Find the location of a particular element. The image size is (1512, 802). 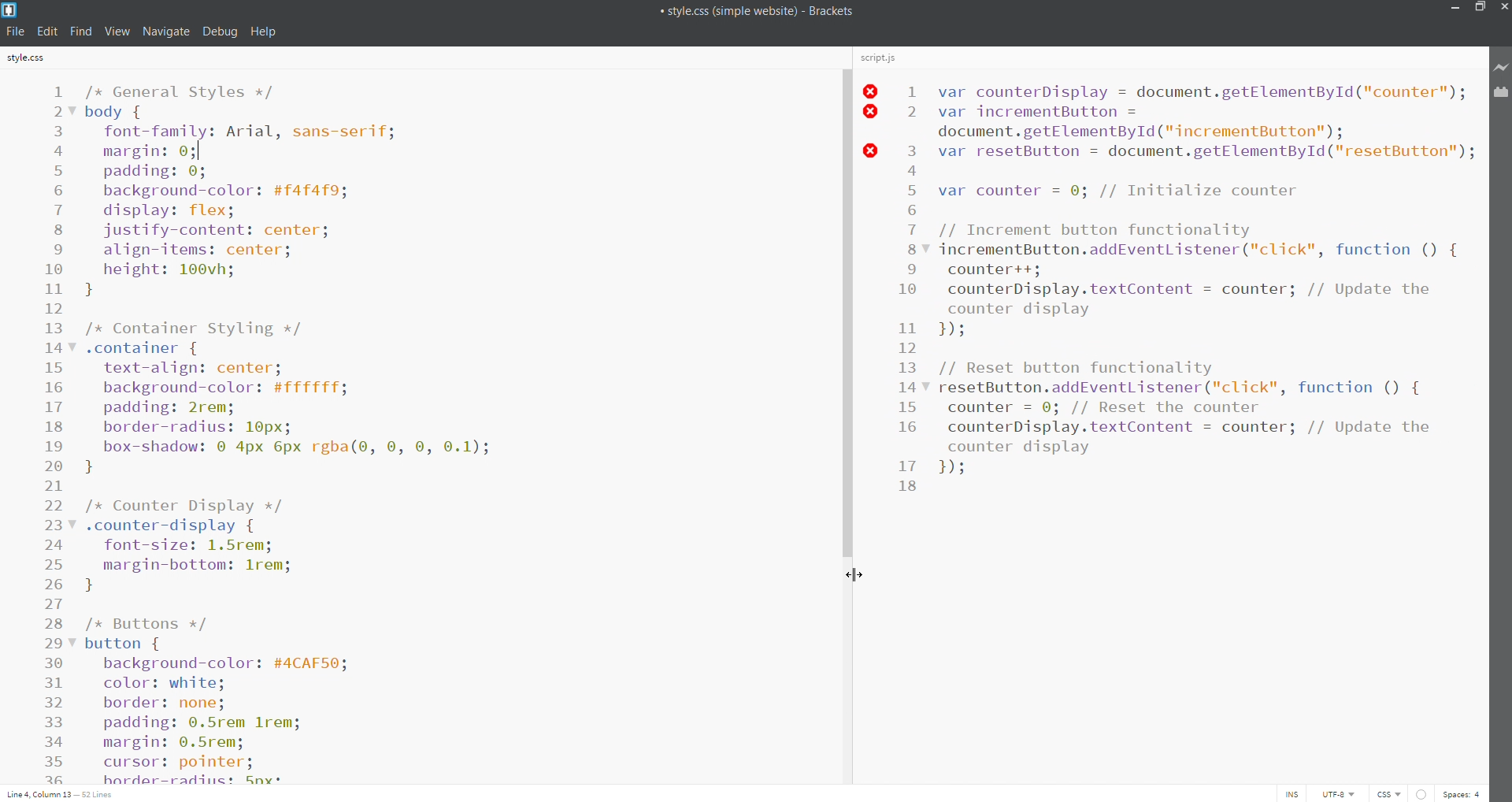

live preview is located at coordinates (1498, 66).